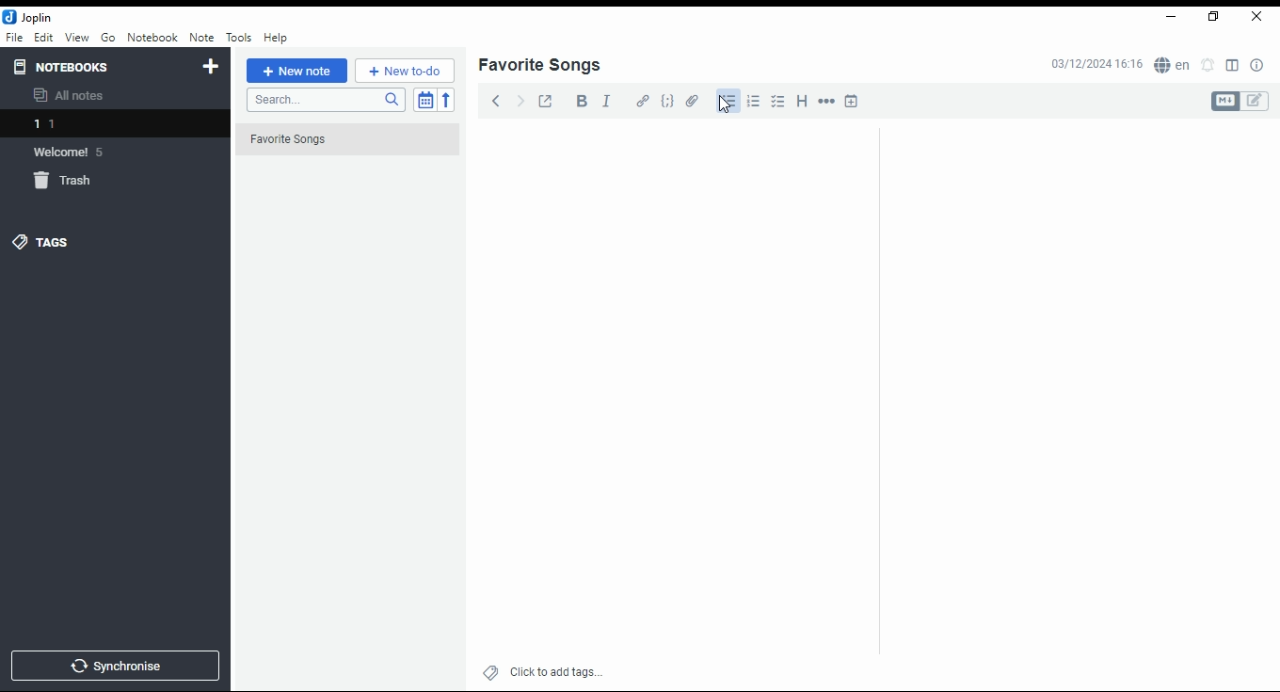 This screenshot has height=692, width=1280. What do you see at coordinates (754, 100) in the screenshot?
I see `number list` at bounding box center [754, 100].